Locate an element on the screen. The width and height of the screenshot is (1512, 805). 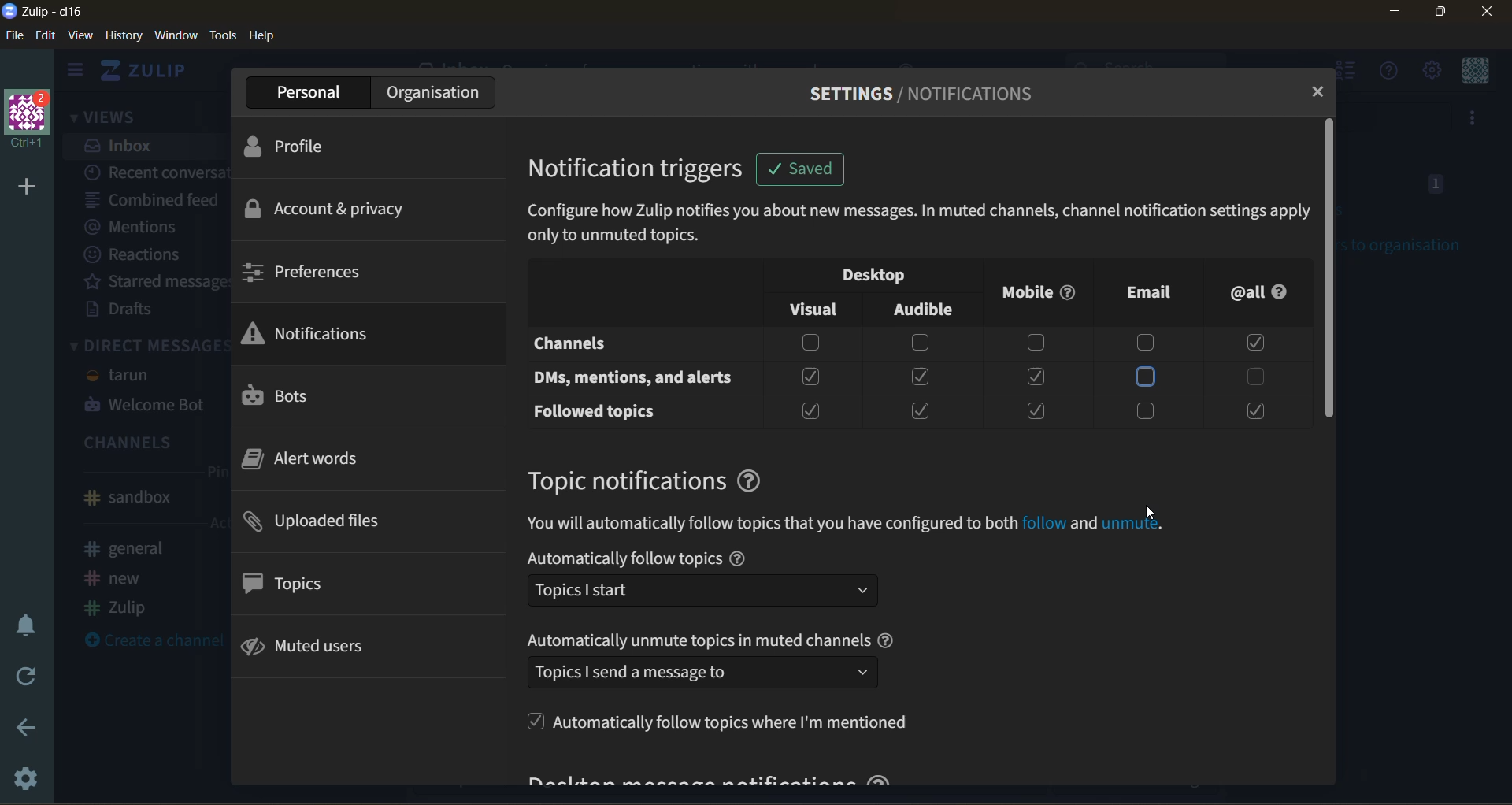
vertical scroll bar is located at coordinates (1331, 268).